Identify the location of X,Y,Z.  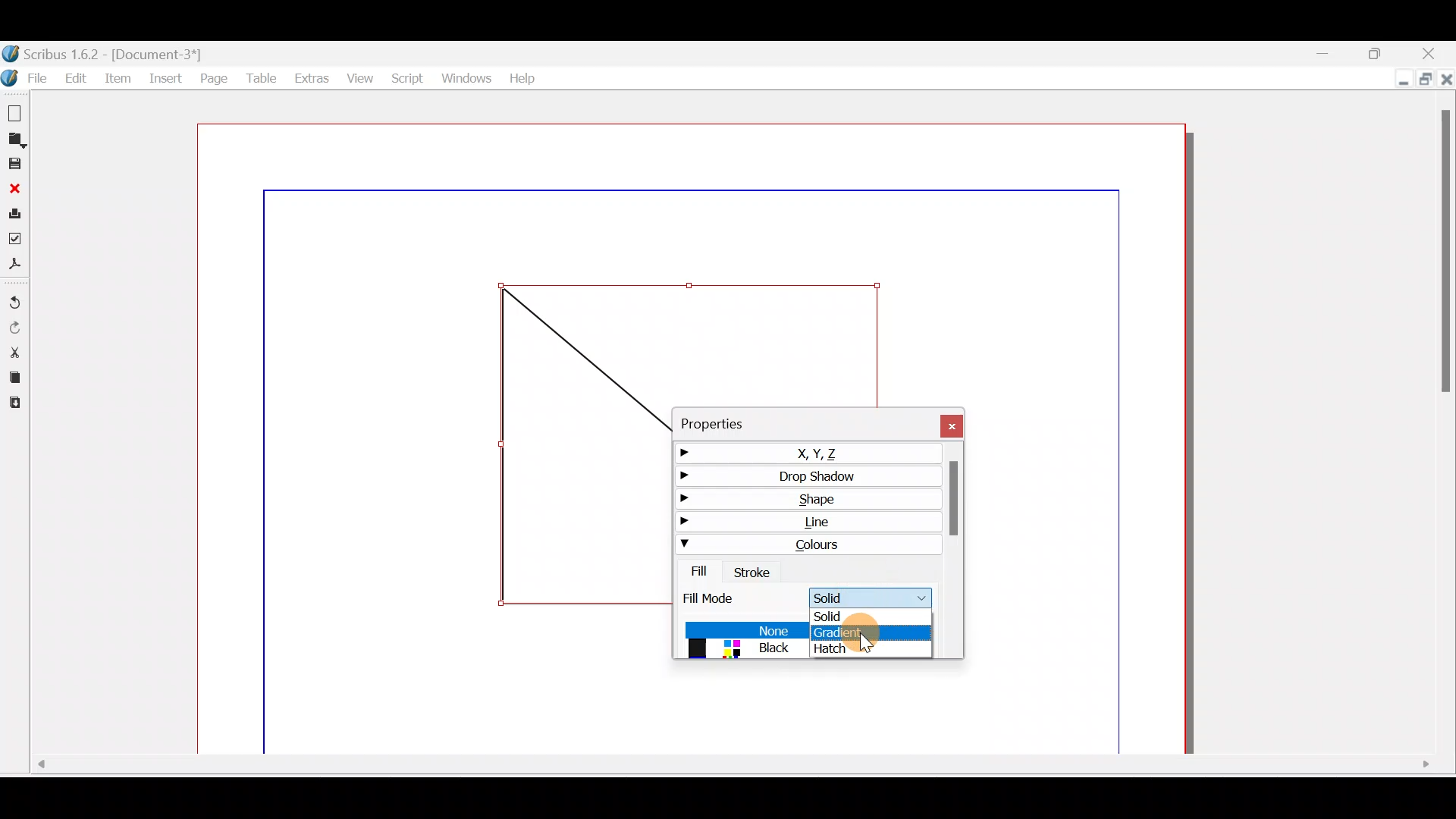
(799, 450).